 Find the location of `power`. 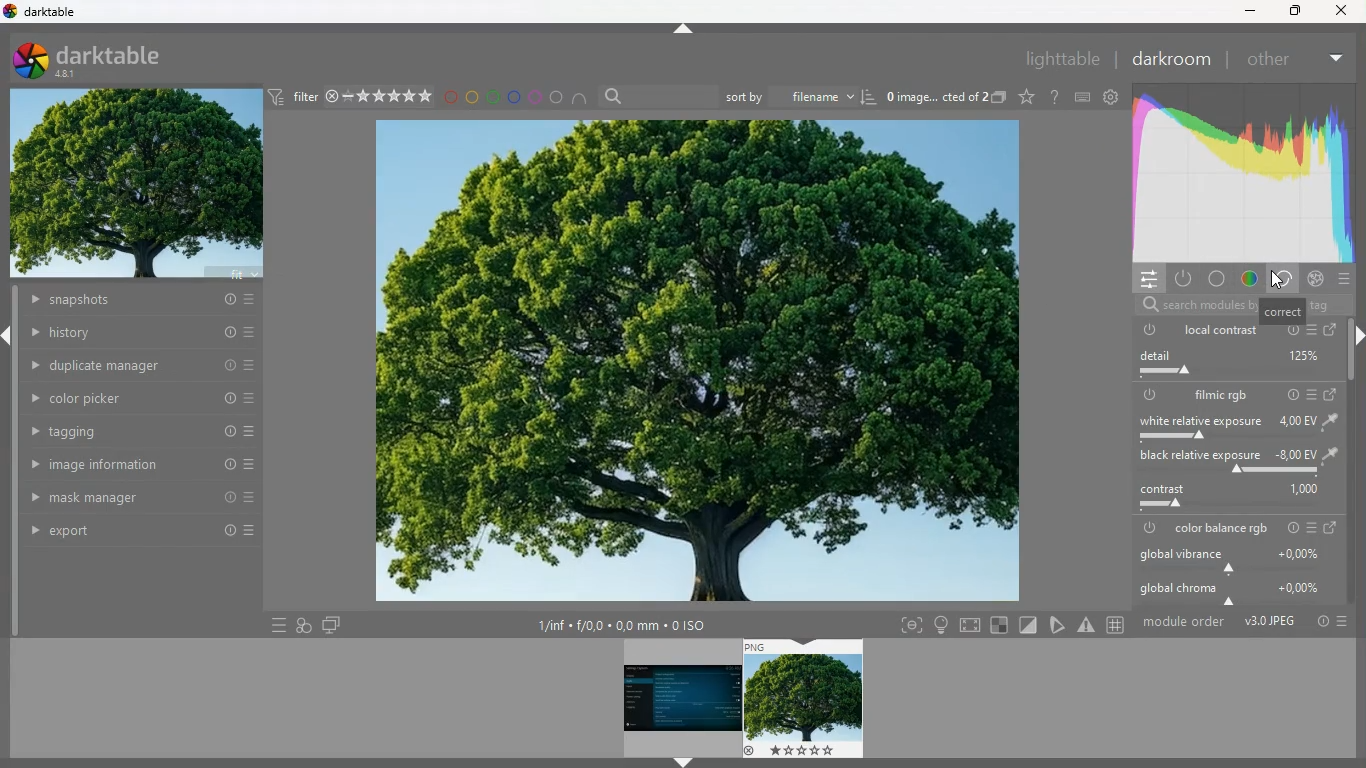

power is located at coordinates (1292, 528).